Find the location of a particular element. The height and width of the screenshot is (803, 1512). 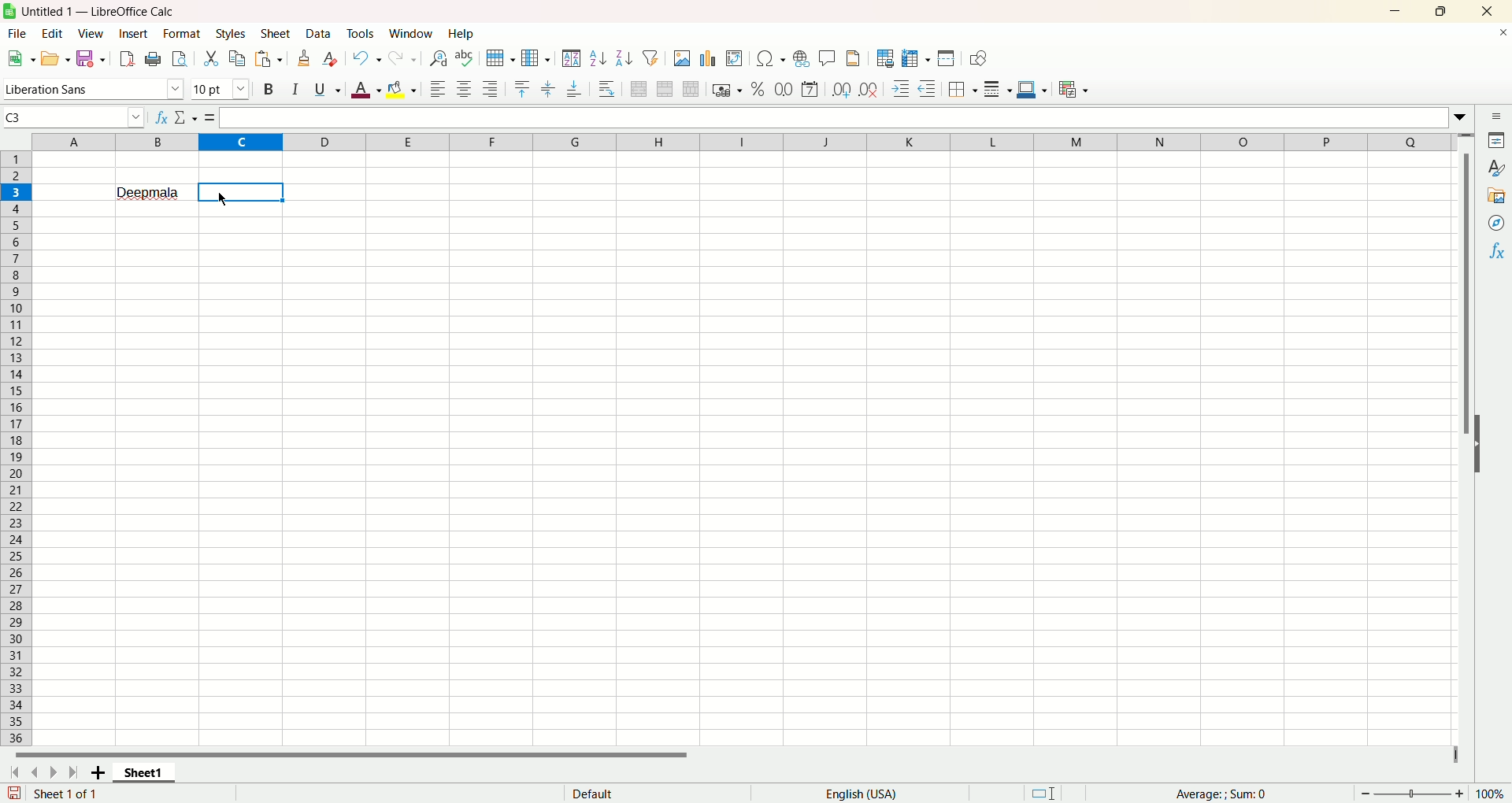

Window is located at coordinates (412, 33).